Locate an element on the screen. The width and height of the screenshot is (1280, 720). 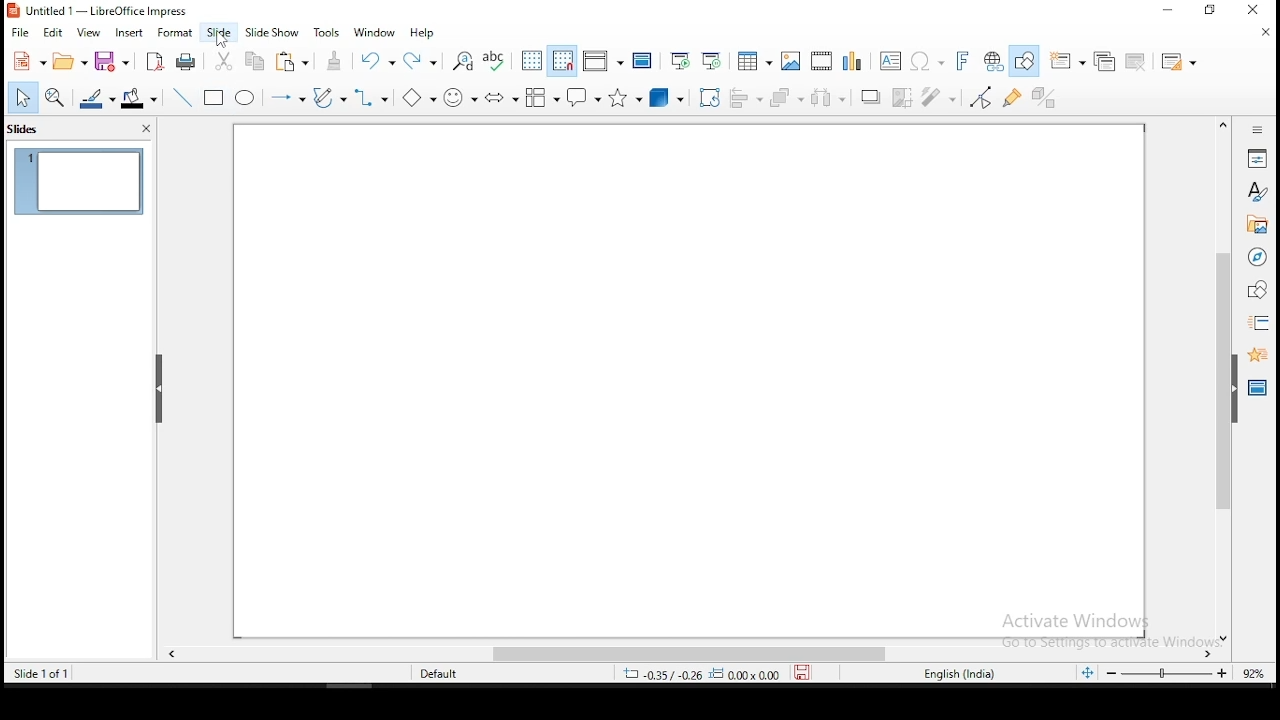
slide of 1 of 1 is located at coordinates (43, 673).